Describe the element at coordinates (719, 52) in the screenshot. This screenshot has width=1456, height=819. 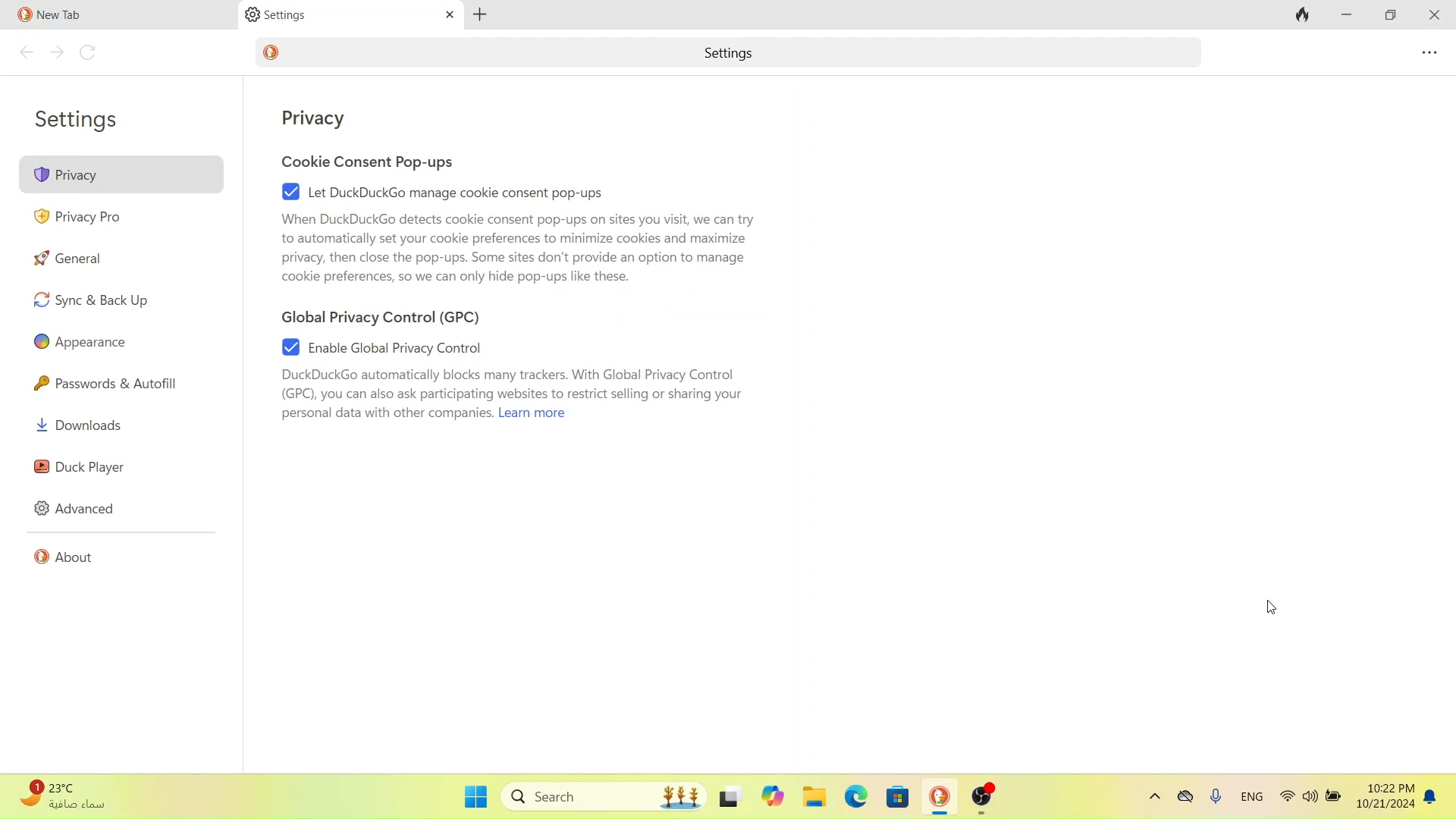
I see `settings` at that location.